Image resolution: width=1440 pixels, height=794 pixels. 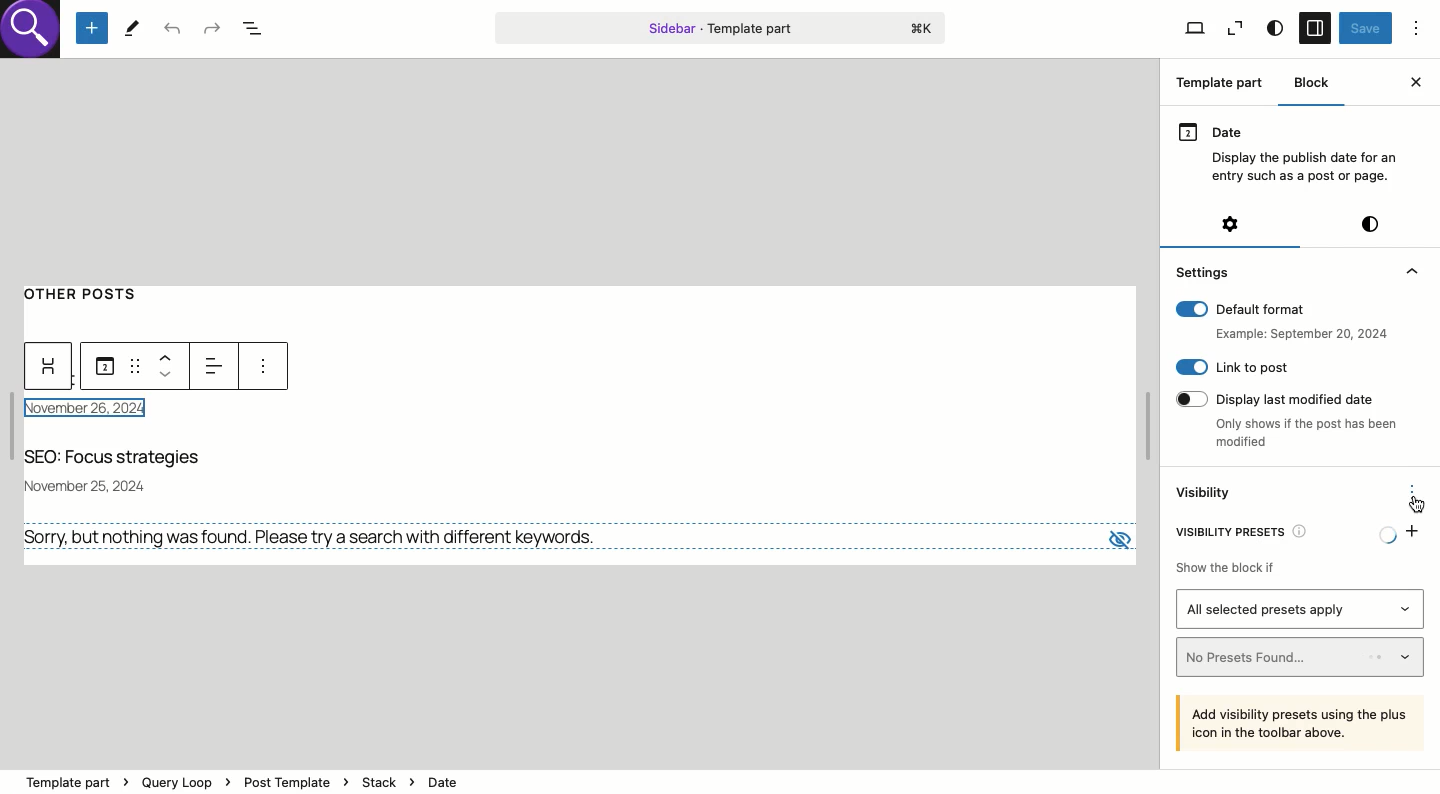 What do you see at coordinates (720, 27) in the screenshot?
I see `Template part` at bounding box center [720, 27].